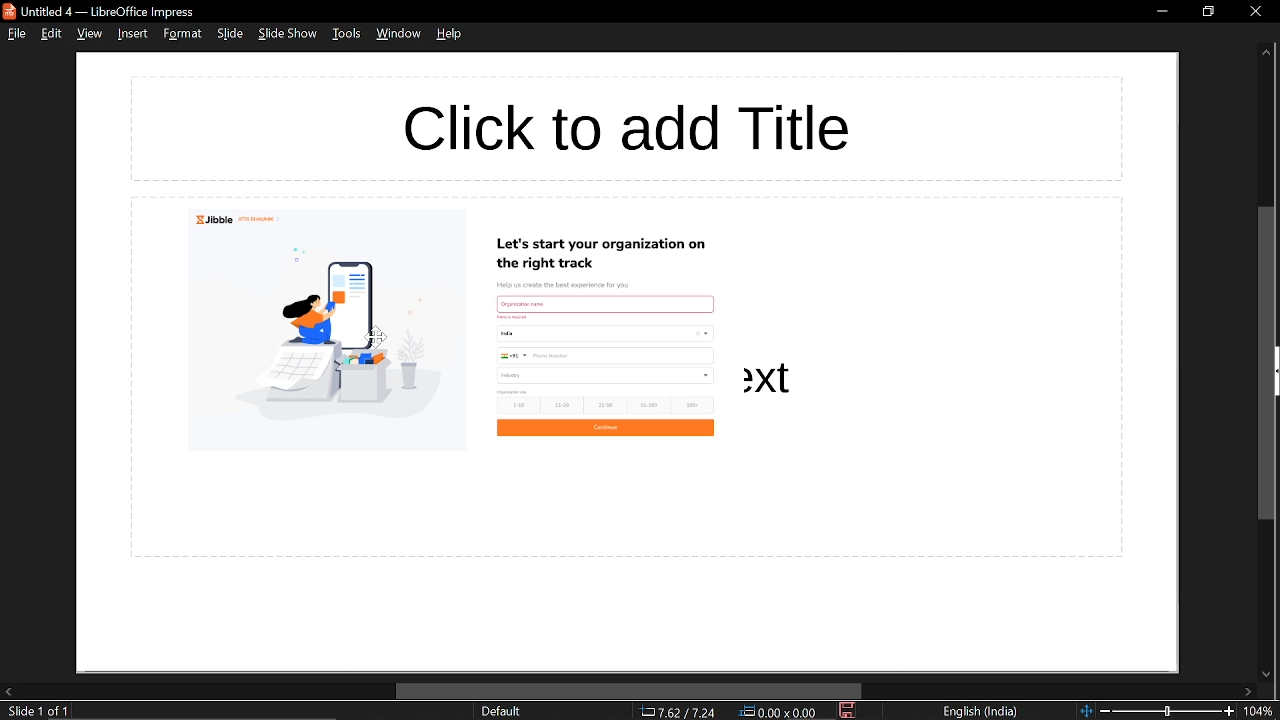 Image resolution: width=1280 pixels, height=720 pixels. I want to click on change zoom, so click(1157, 711).